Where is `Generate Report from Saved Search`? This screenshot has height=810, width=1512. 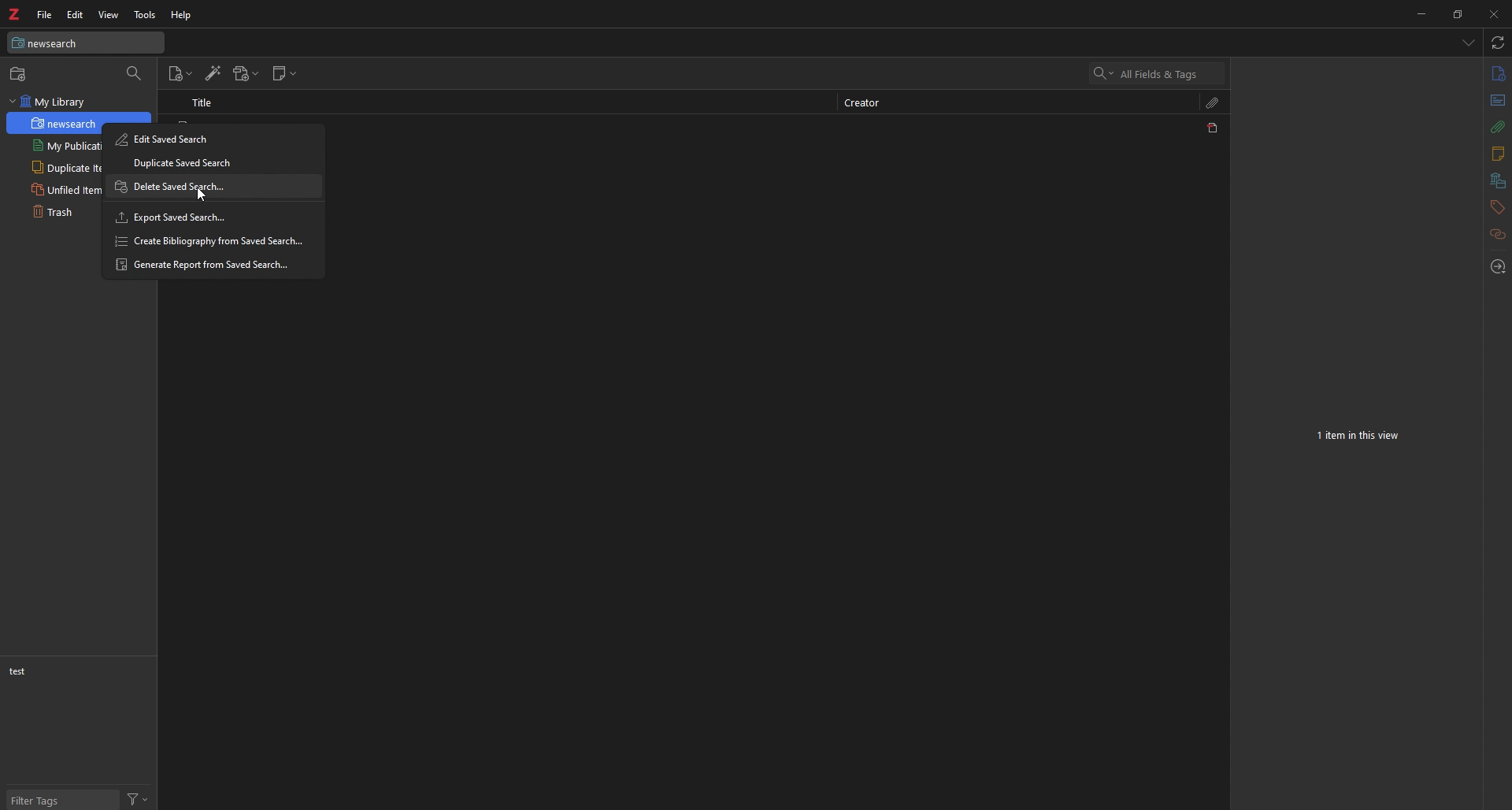 Generate Report from Saved Search is located at coordinates (199, 265).